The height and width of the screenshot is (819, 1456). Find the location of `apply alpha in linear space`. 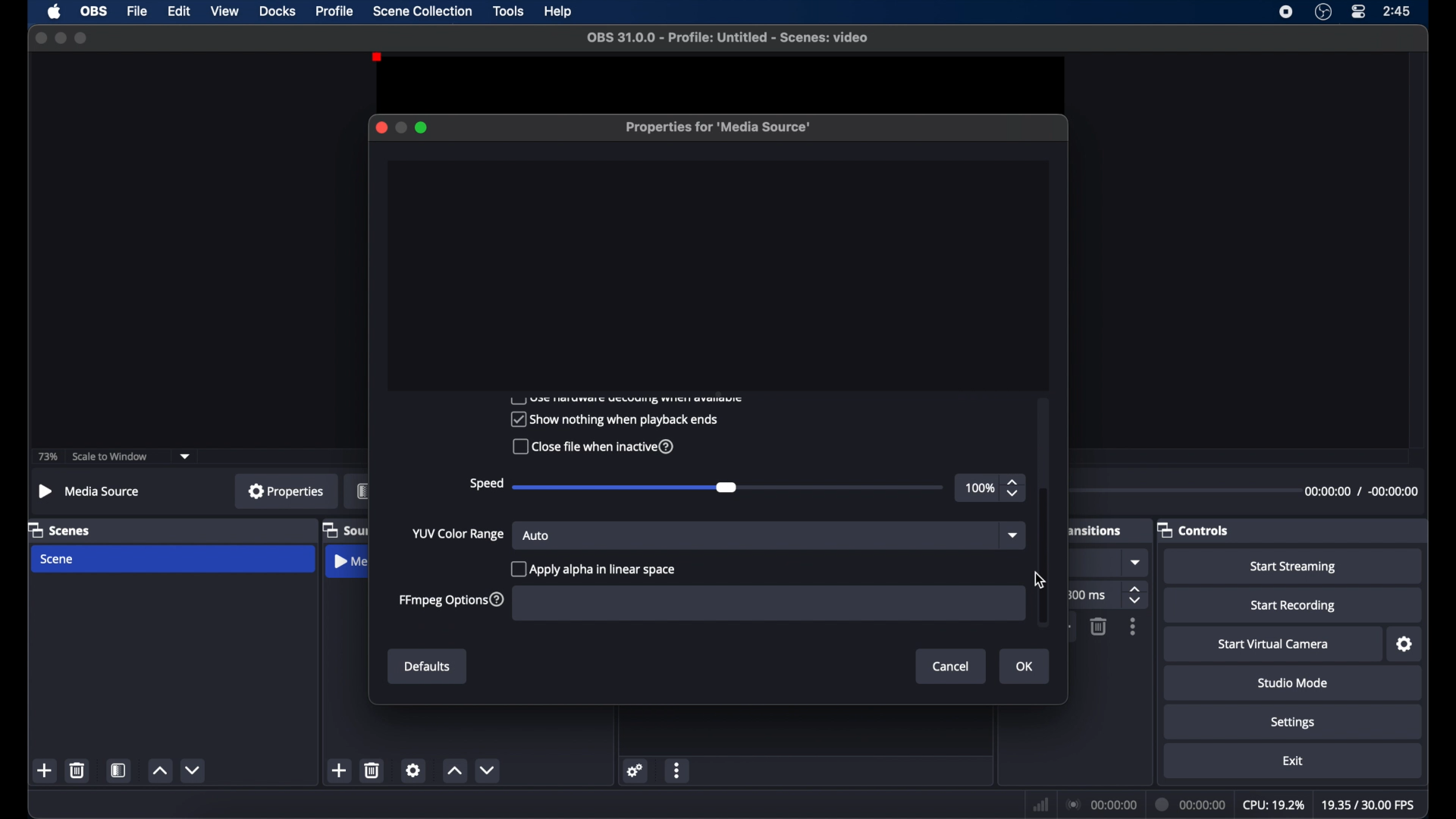

apply alpha in linear space is located at coordinates (596, 568).